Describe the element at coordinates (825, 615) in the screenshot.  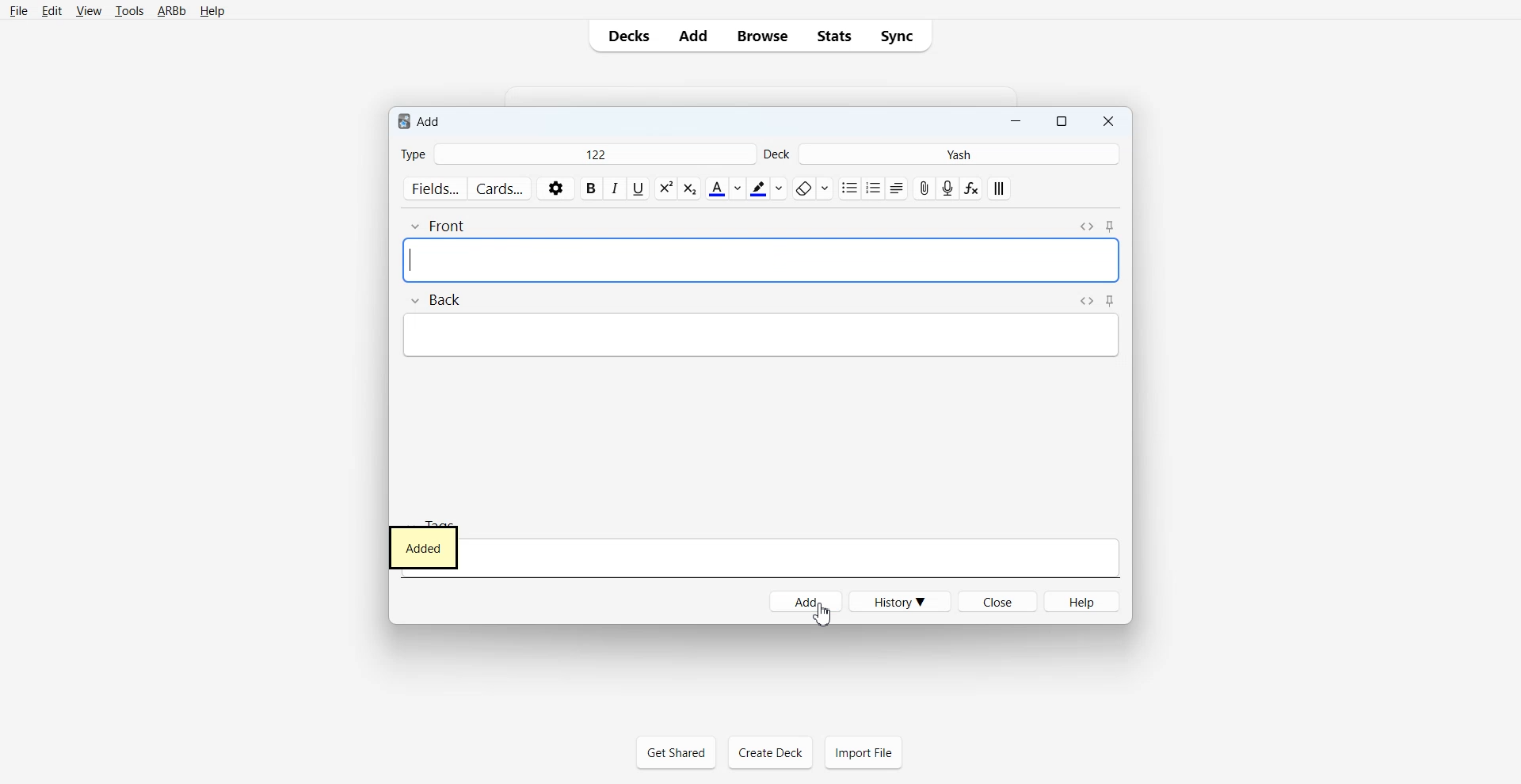
I see `Cursor` at that location.